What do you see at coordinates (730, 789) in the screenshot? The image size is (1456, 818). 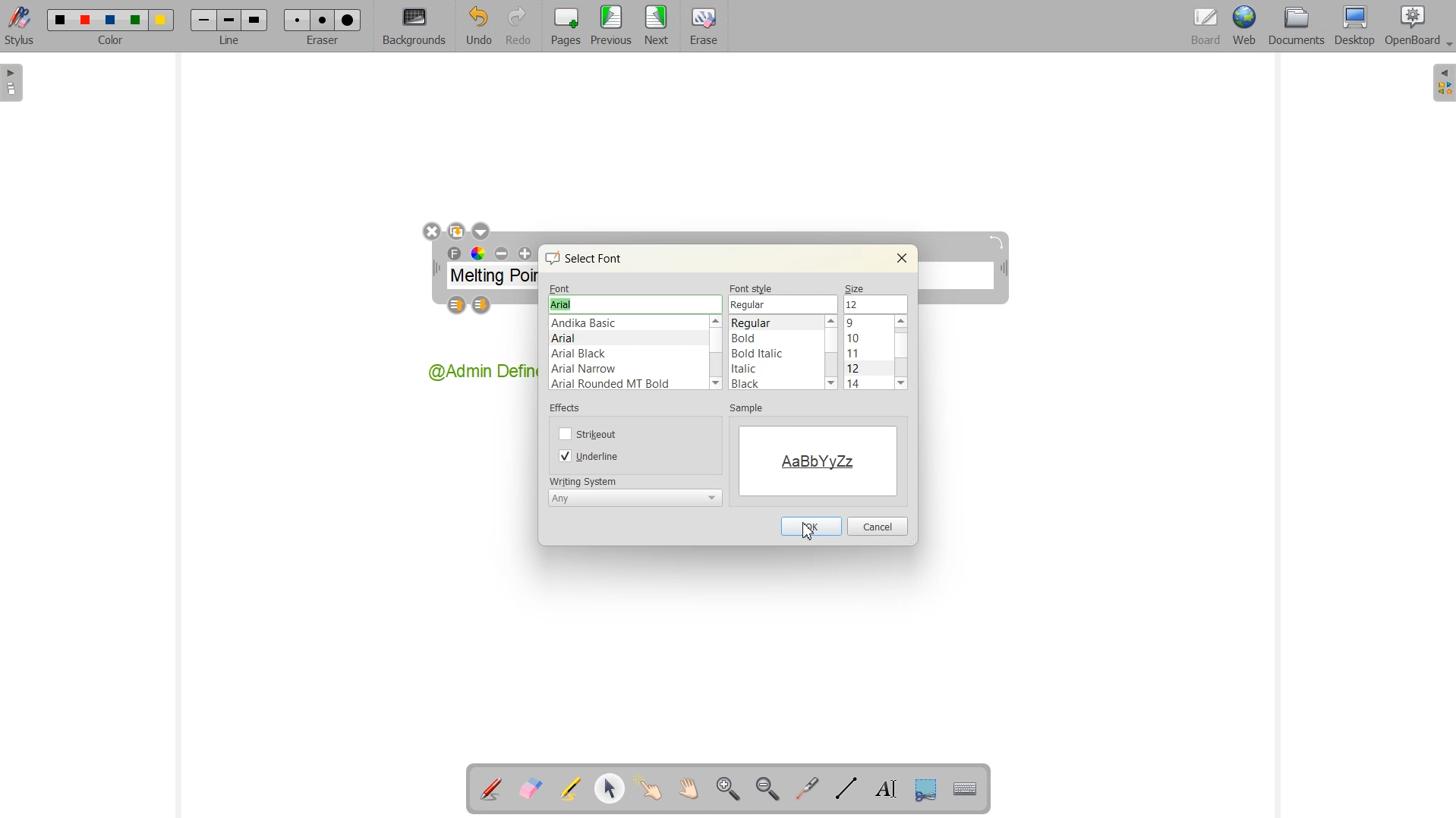 I see `Zoom In` at bounding box center [730, 789].